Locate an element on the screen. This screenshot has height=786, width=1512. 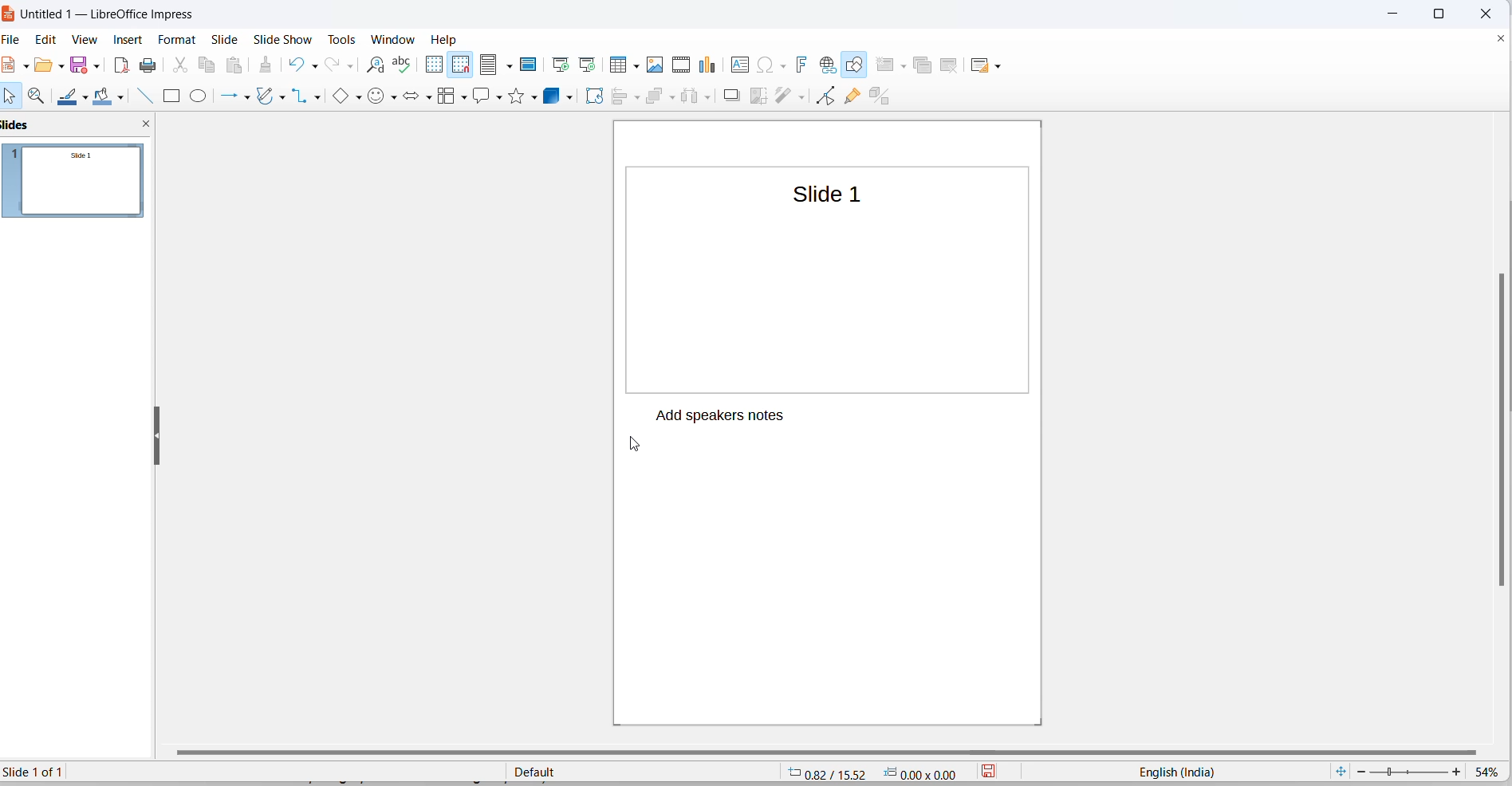
zoom and pan is located at coordinates (41, 96).